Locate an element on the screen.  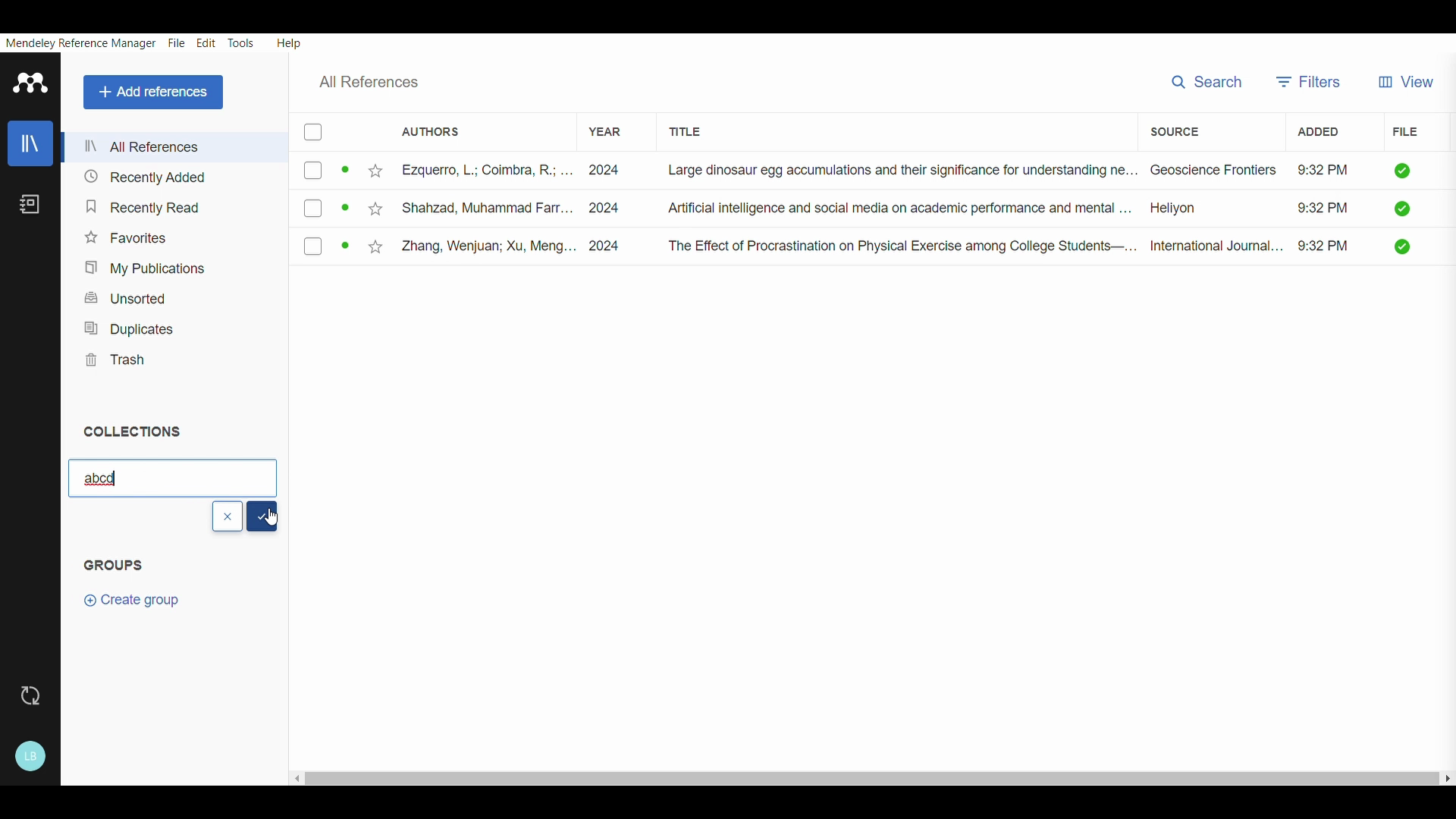
Mendeley Reference Manager is located at coordinates (81, 42).